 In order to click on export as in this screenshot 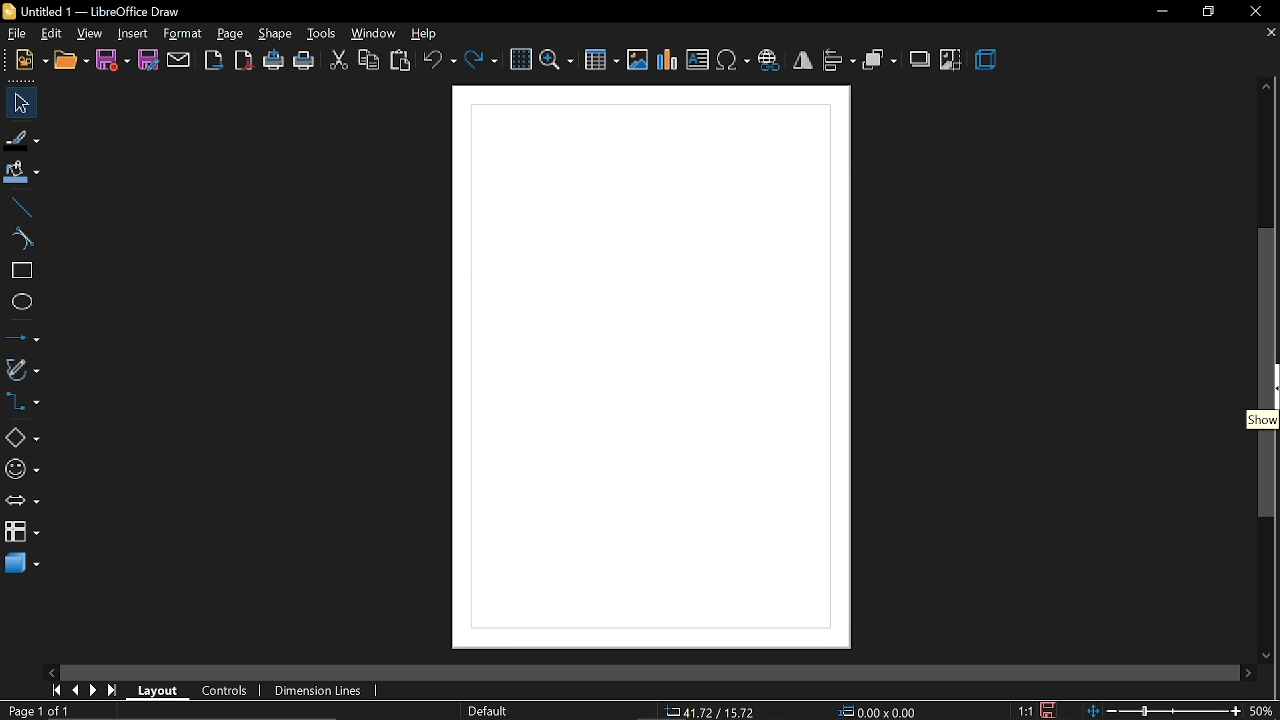, I will do `click(242, 61)`.